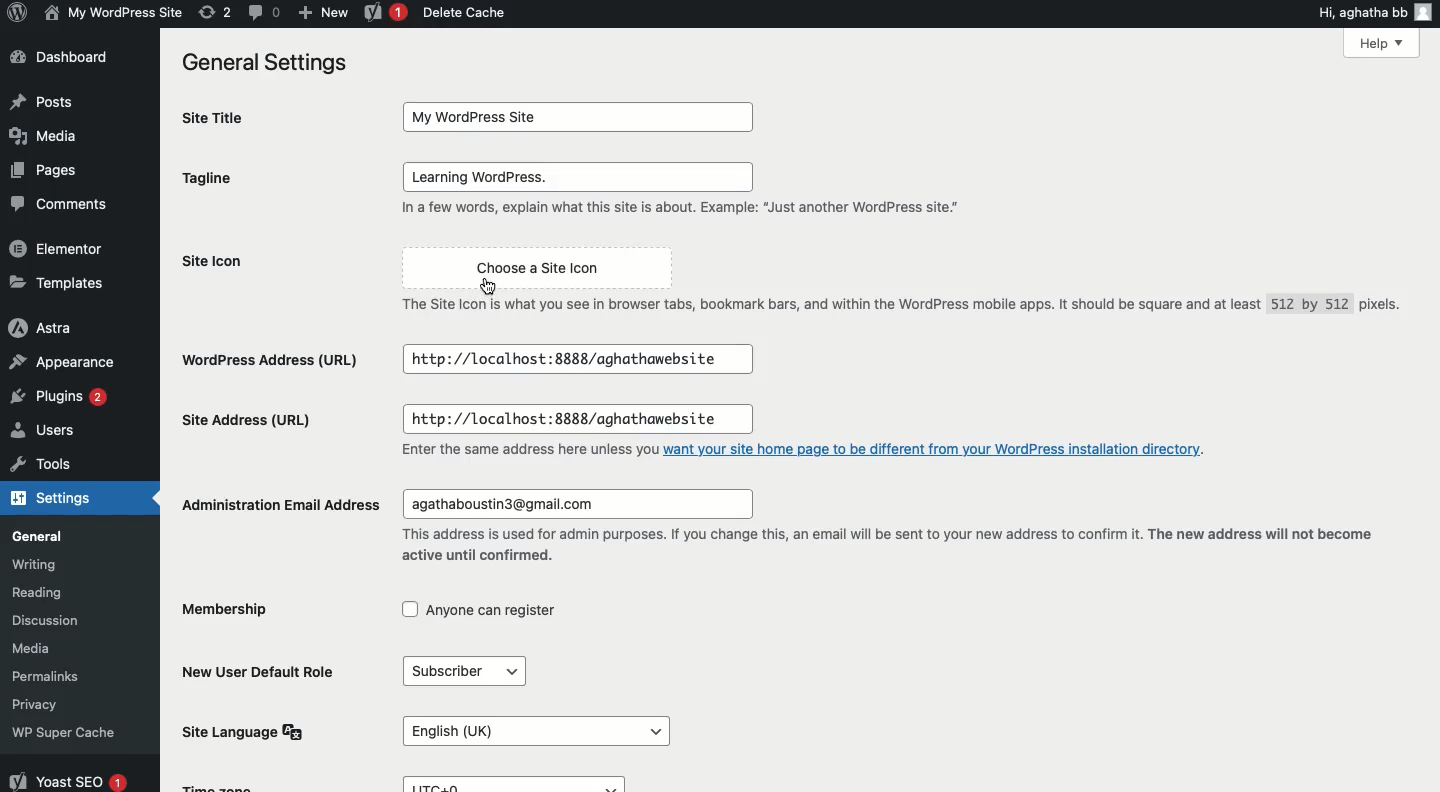  Describe the element at coordinates (47, 133) in the screenshot. I see `Media` at that location.